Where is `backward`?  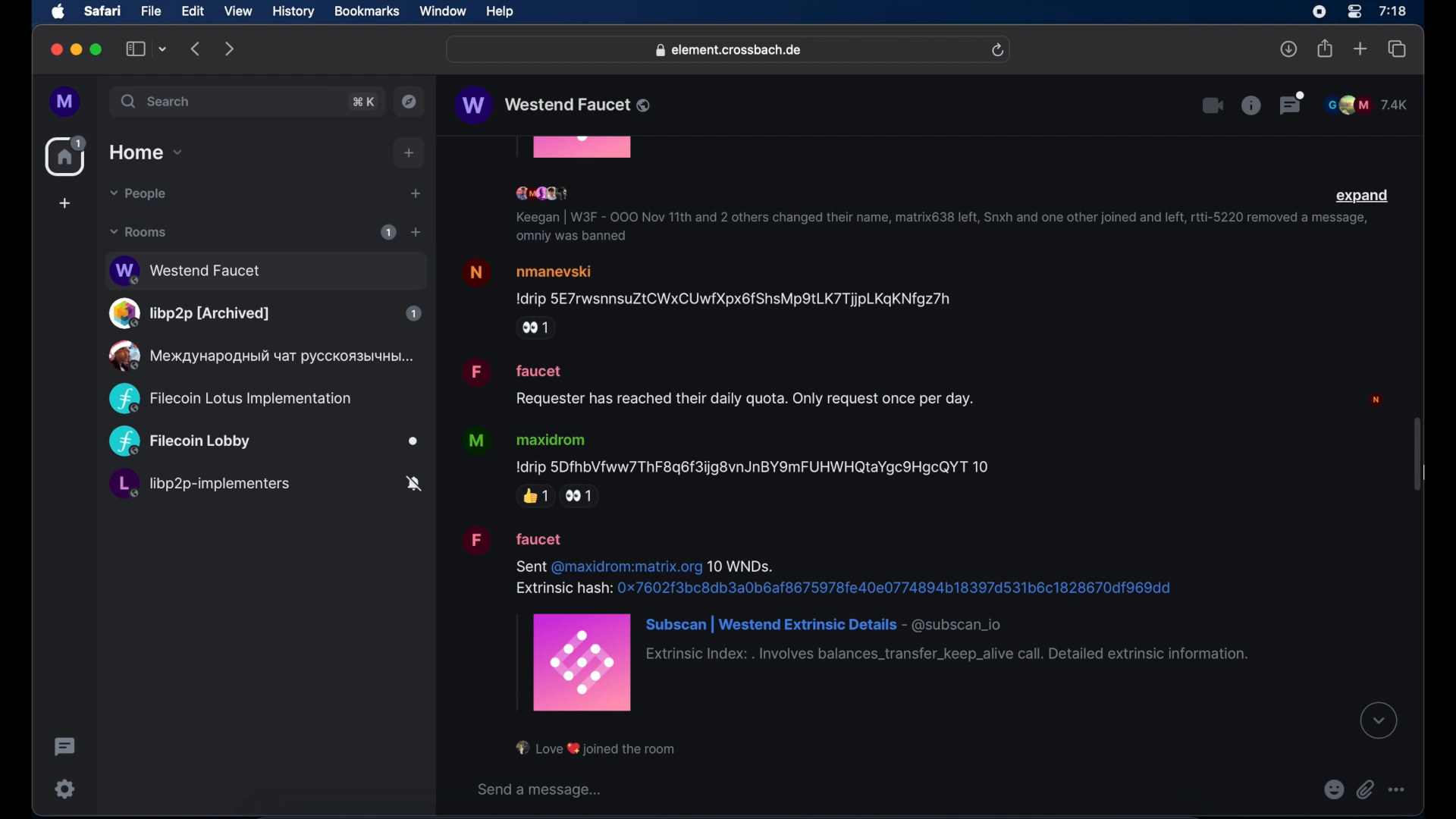 backward is located at coordinates (196, 49).